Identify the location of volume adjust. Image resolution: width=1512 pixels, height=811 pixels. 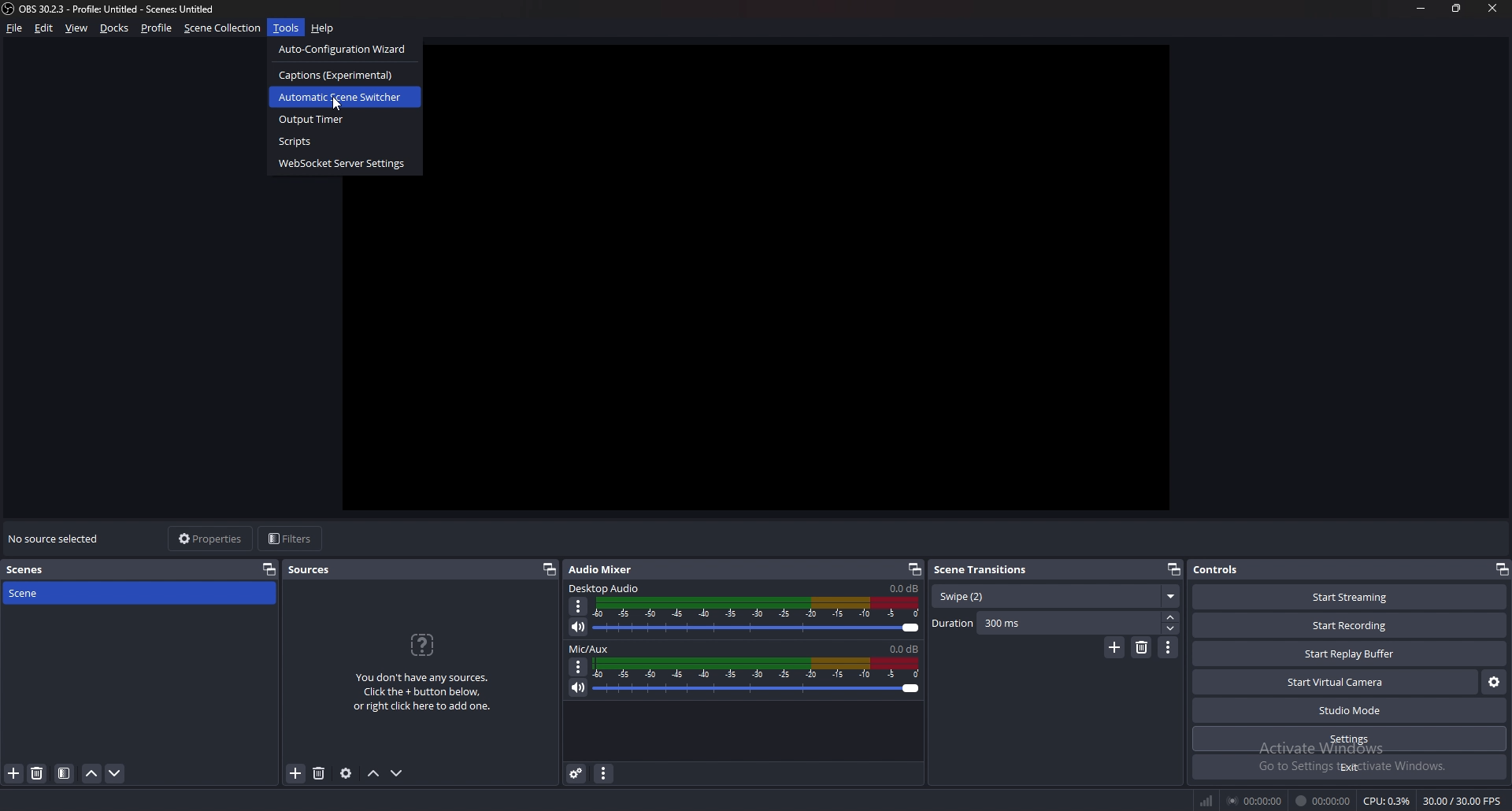
(756, 678).